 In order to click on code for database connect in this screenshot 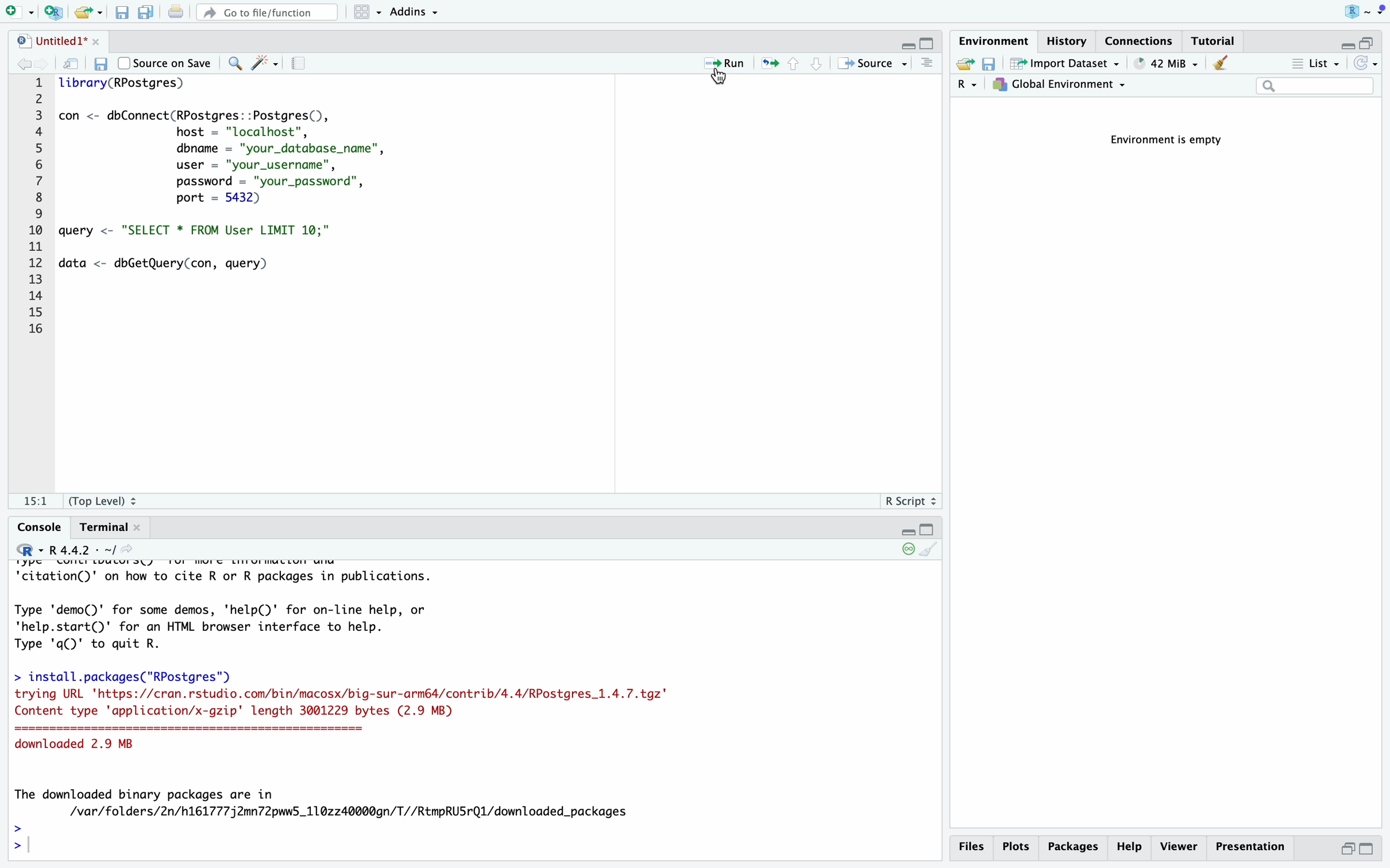, I will do `click(230, 157)`.